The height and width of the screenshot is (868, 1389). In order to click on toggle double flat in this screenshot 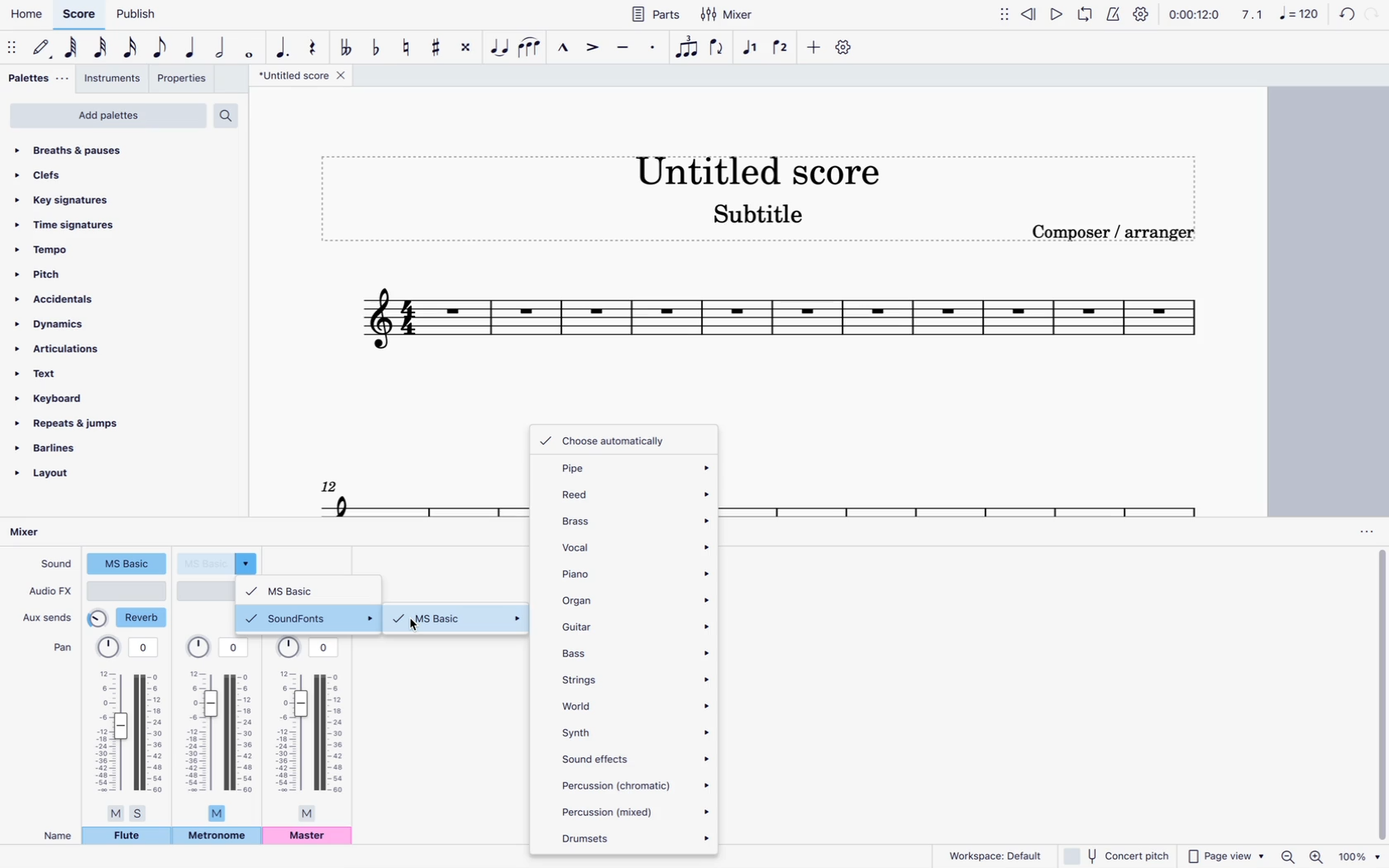, I will do `click(345, 46)`.